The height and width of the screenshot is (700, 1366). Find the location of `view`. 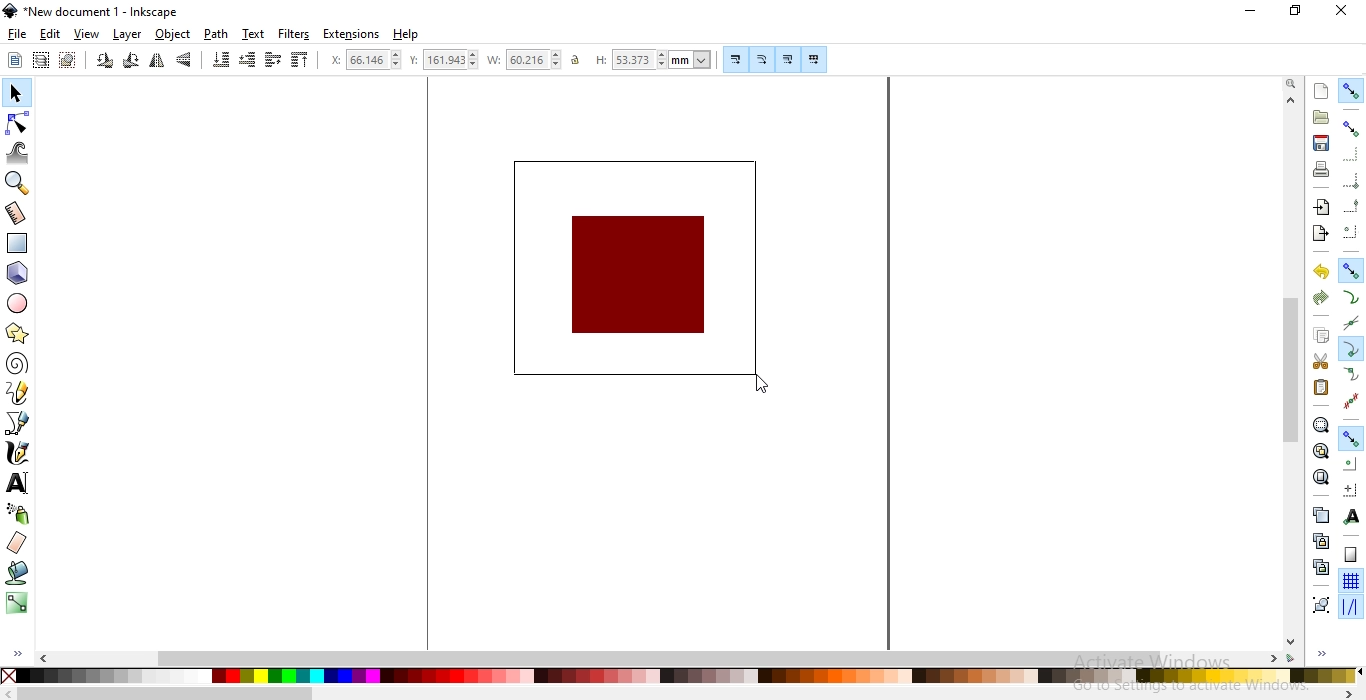

view is located at coordinates (88, 34).